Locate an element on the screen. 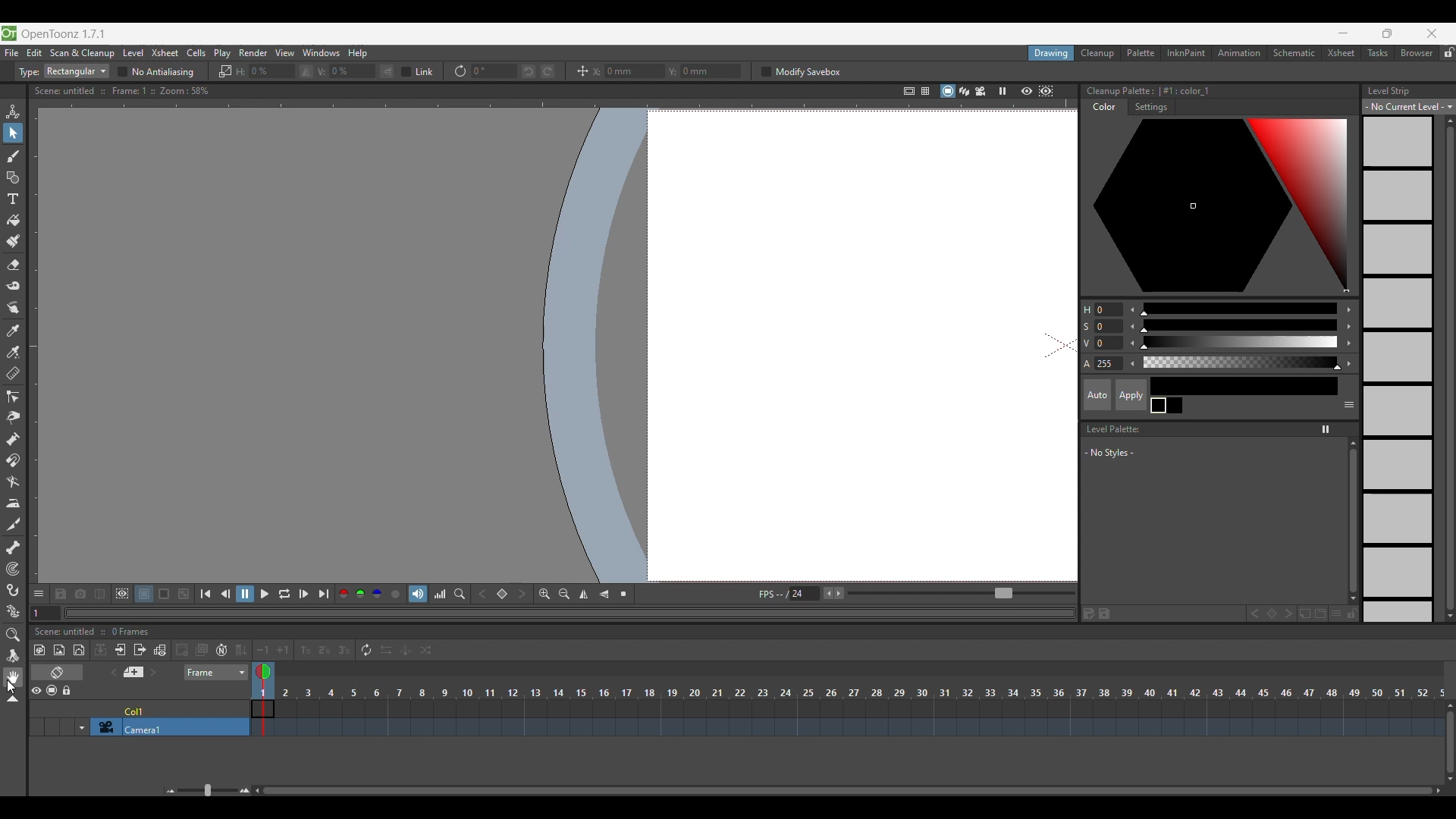  Zoom out is located at coordinates (168, 789).